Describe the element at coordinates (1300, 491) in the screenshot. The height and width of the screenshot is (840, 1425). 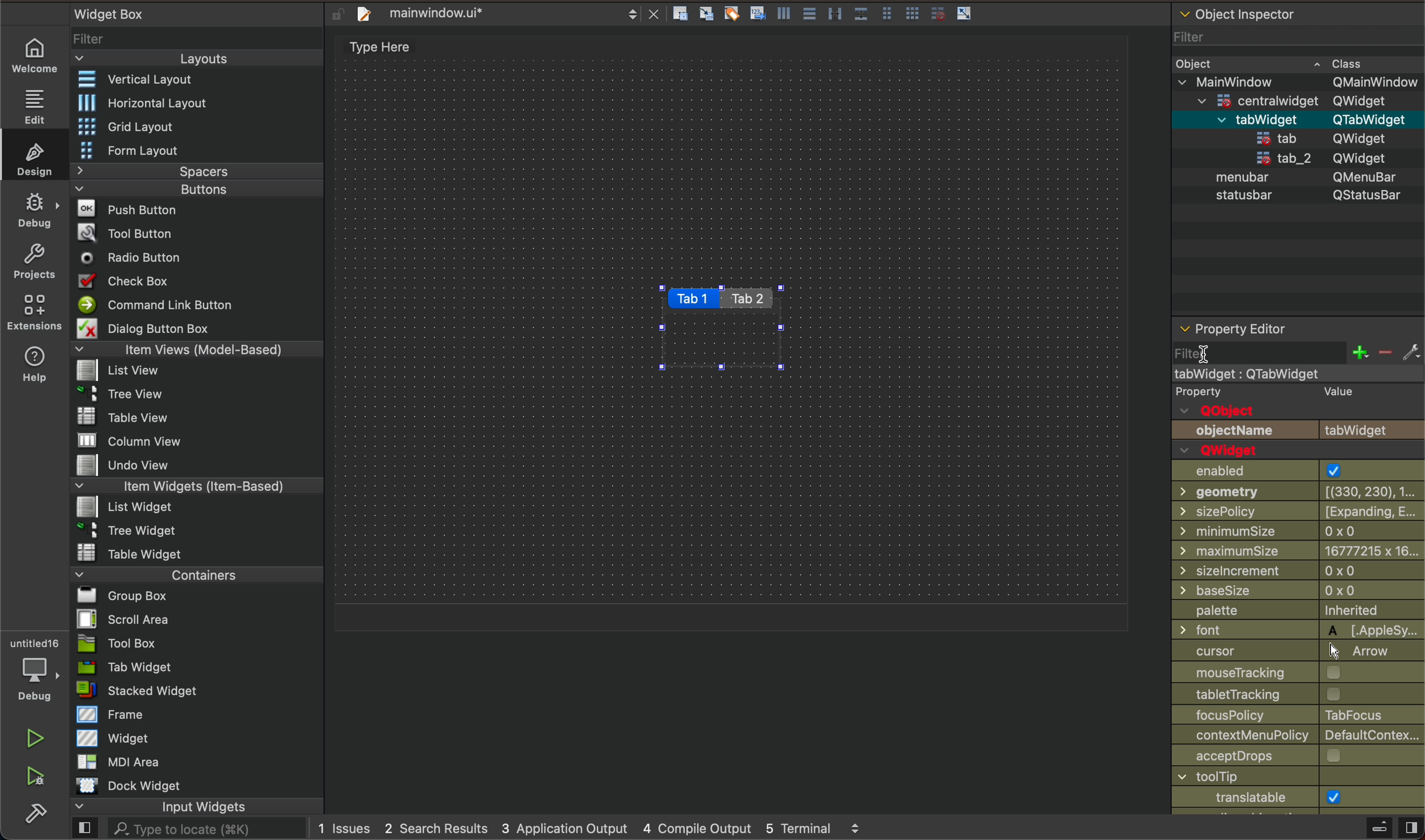
I see `geometry` at that location.